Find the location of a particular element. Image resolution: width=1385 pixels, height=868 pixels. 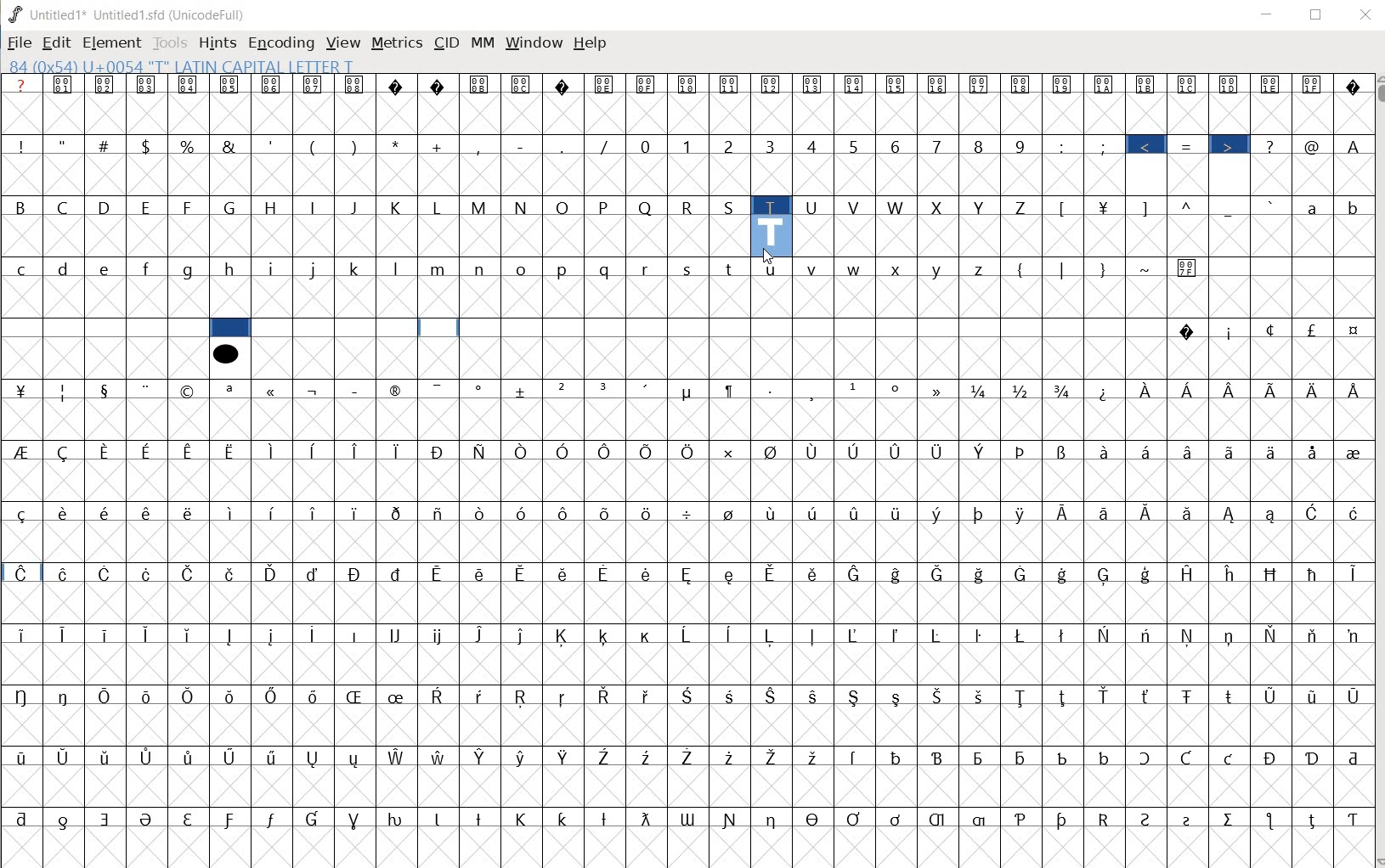

element is located at coordinates (111, 42).